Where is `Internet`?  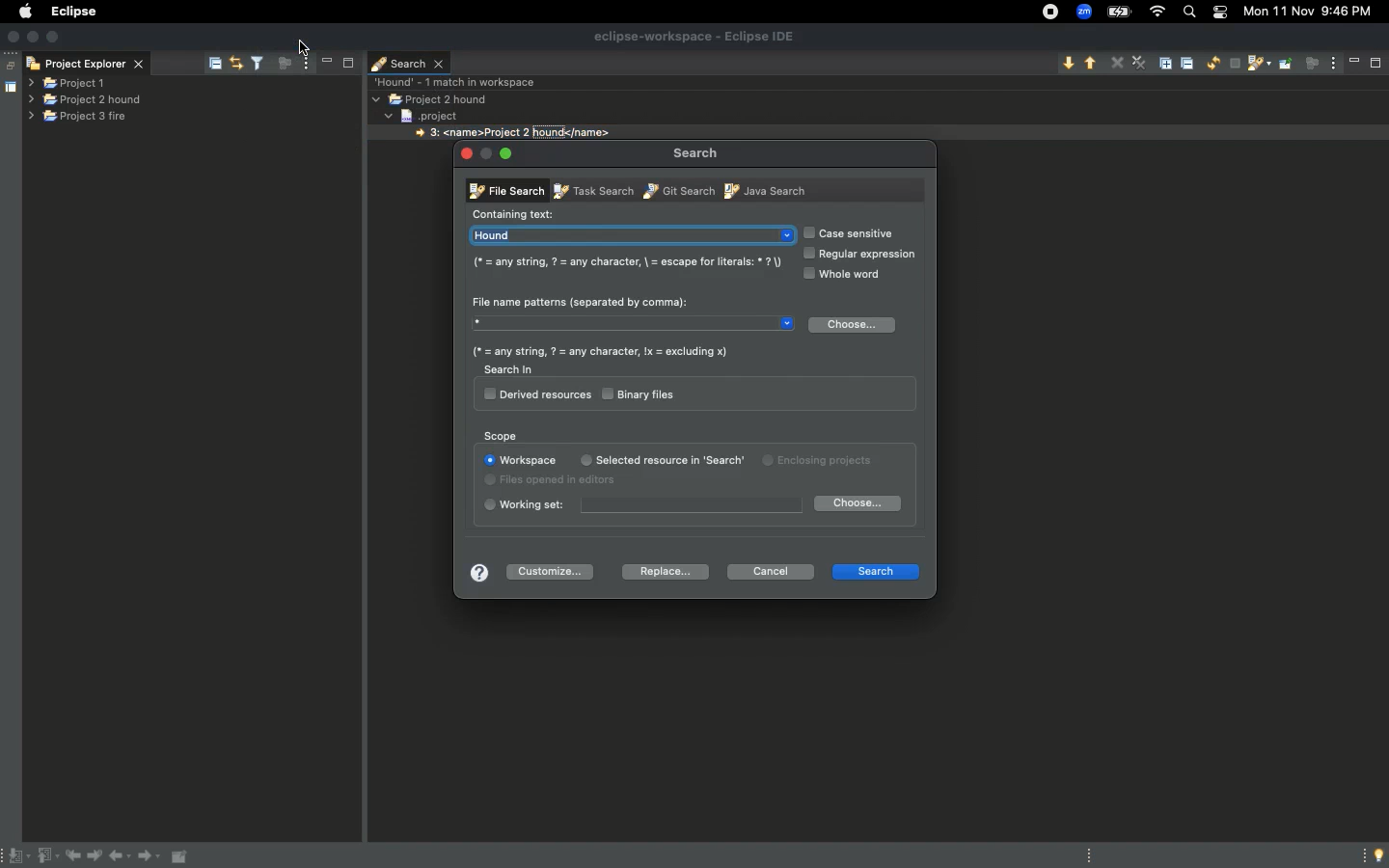
Internet is located at coordinates (1158, 13).